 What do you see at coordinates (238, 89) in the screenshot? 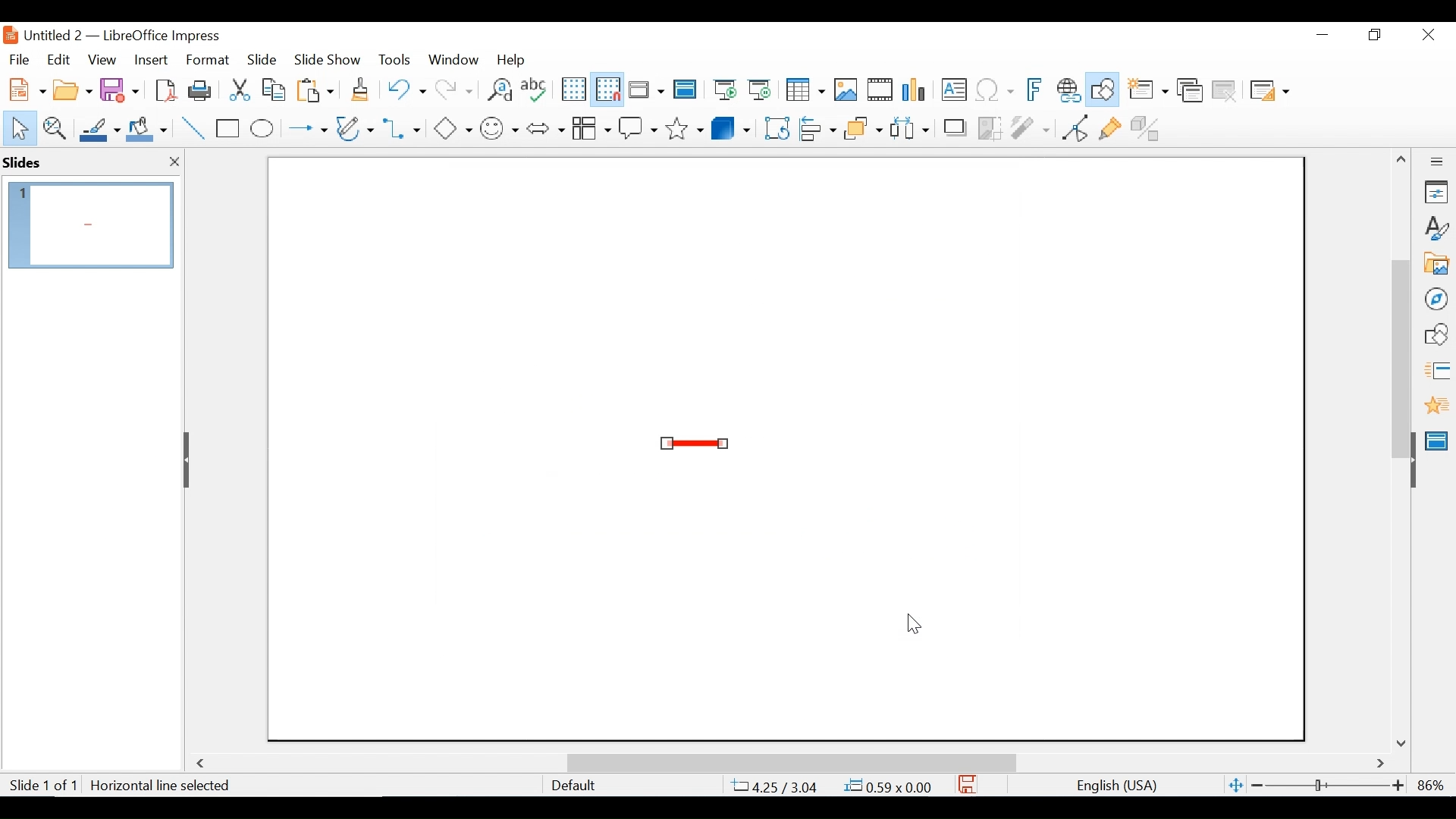
I see `Cut` at bounding box center [238, 89].